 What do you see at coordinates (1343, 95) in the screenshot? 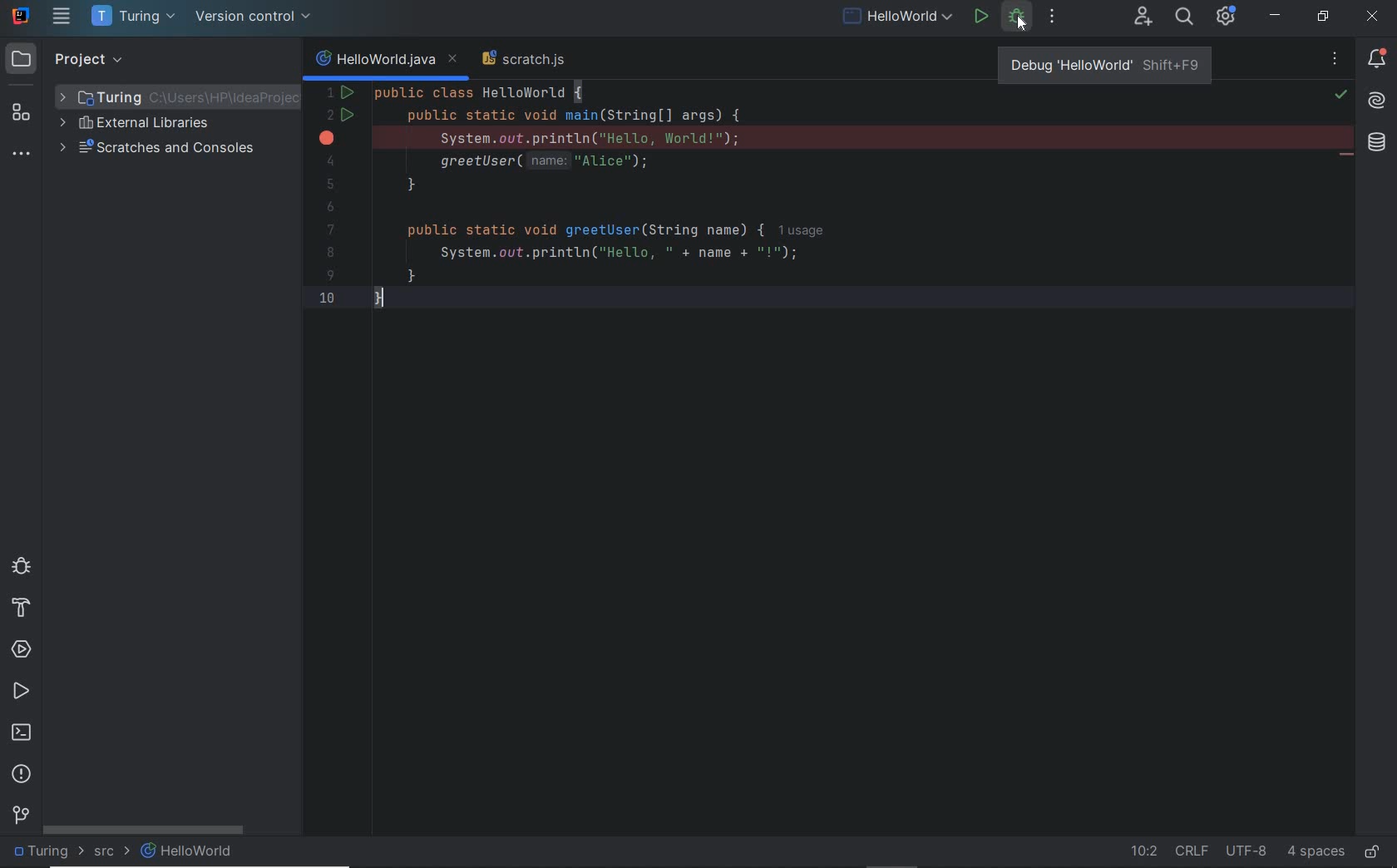
I see `no problems highlighted` at bounding box center [1343, 95].